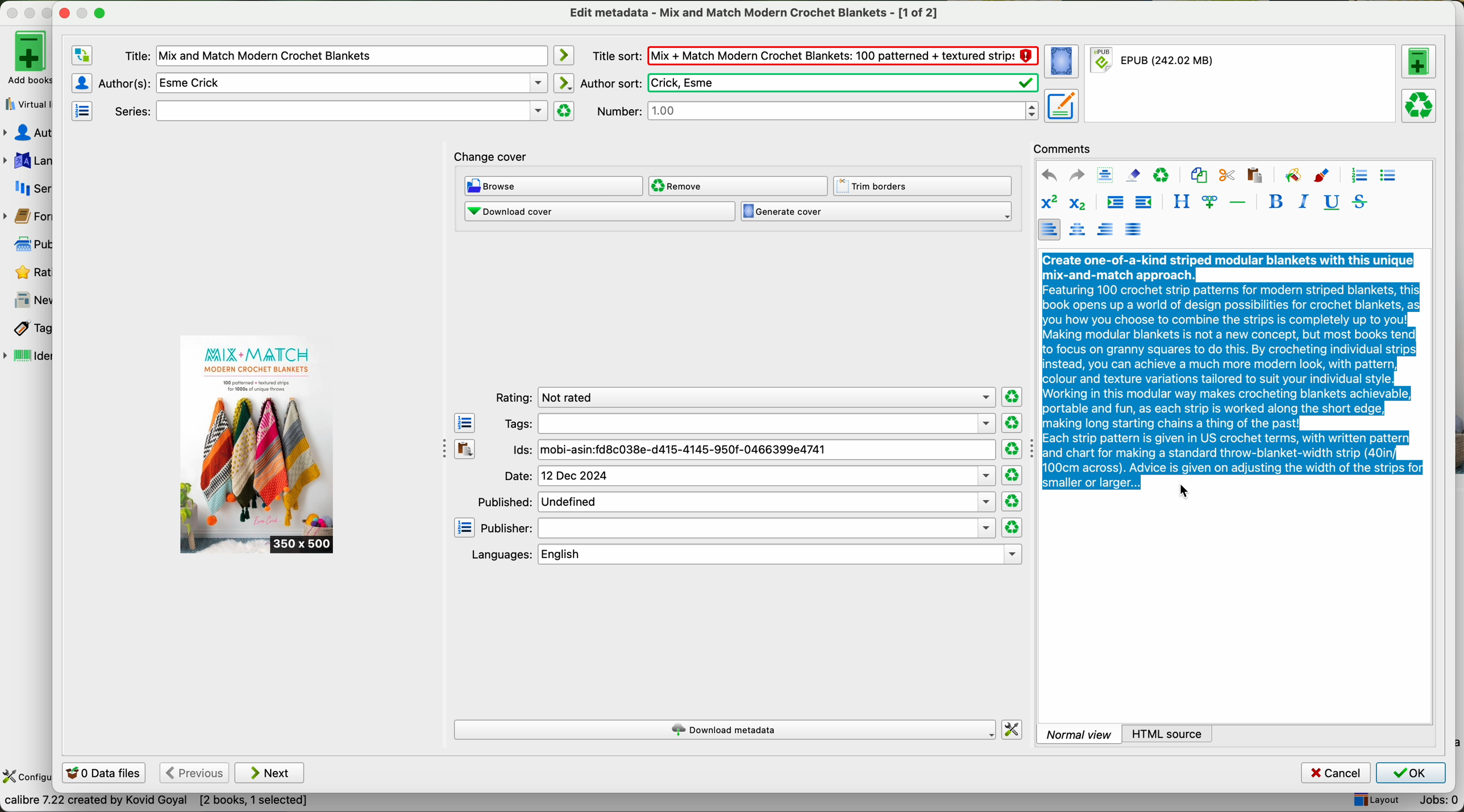 Image resolution: width=1464 pixels, height=812 pixels. I want to click on author(s), so click(323, 82).